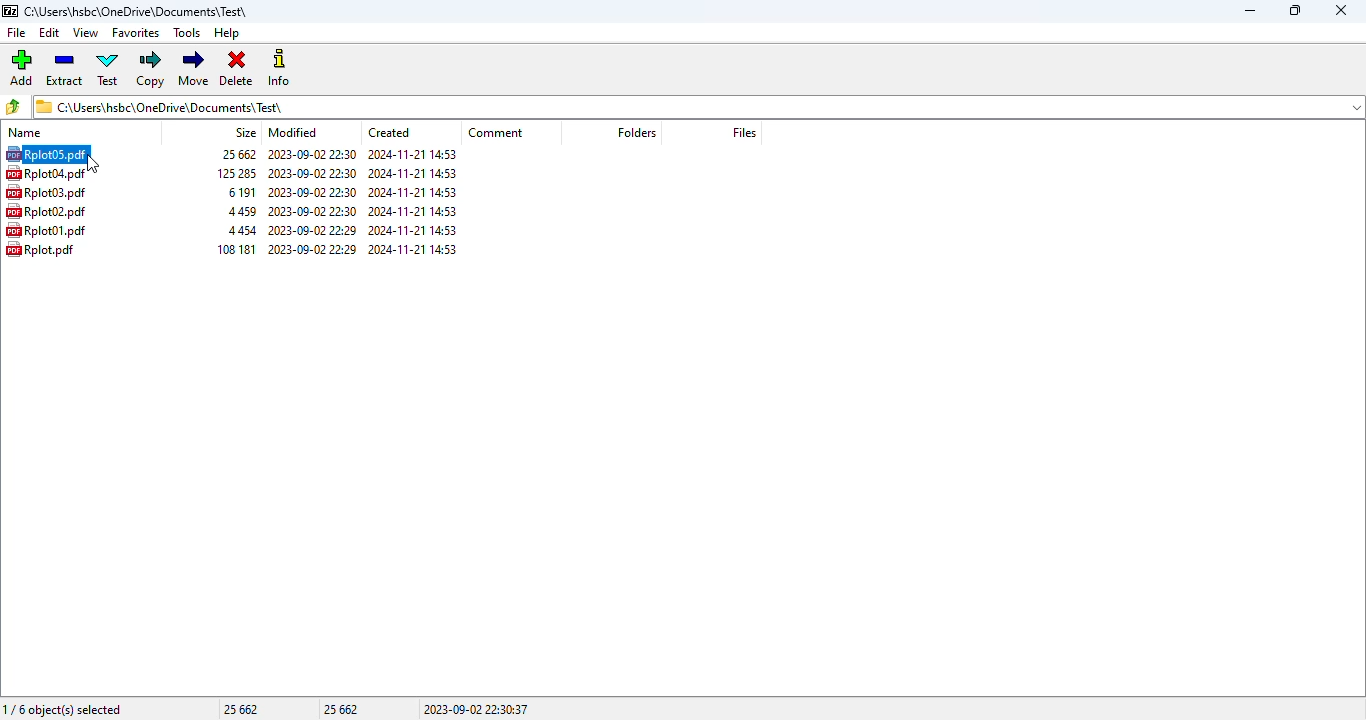  What do you see at coordinates (636, 133) in the screenshot?
I see `folders` at bounding box center [636, 133].